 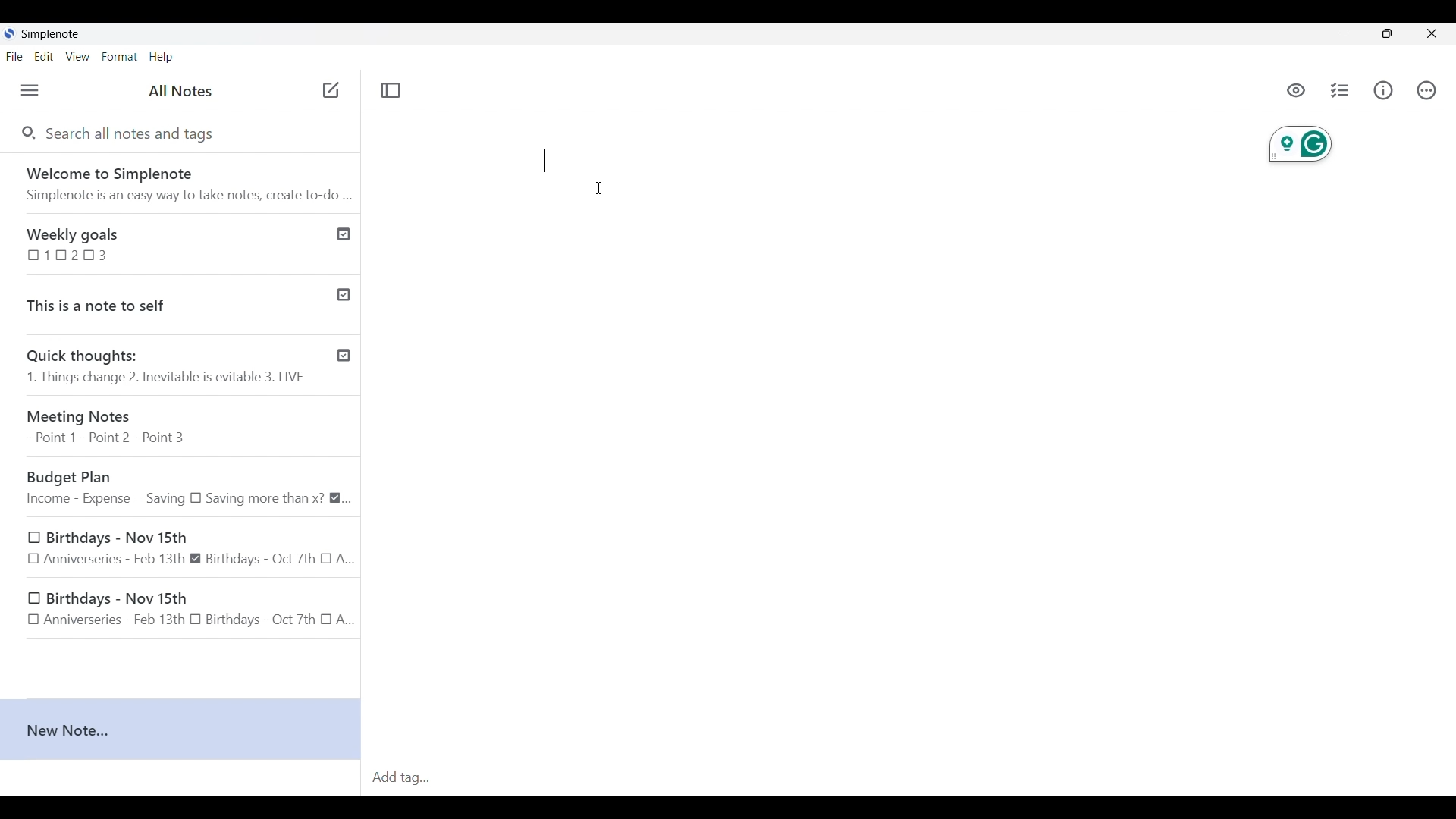 I want to click on Title of left panel, so click(x=180, y=90).